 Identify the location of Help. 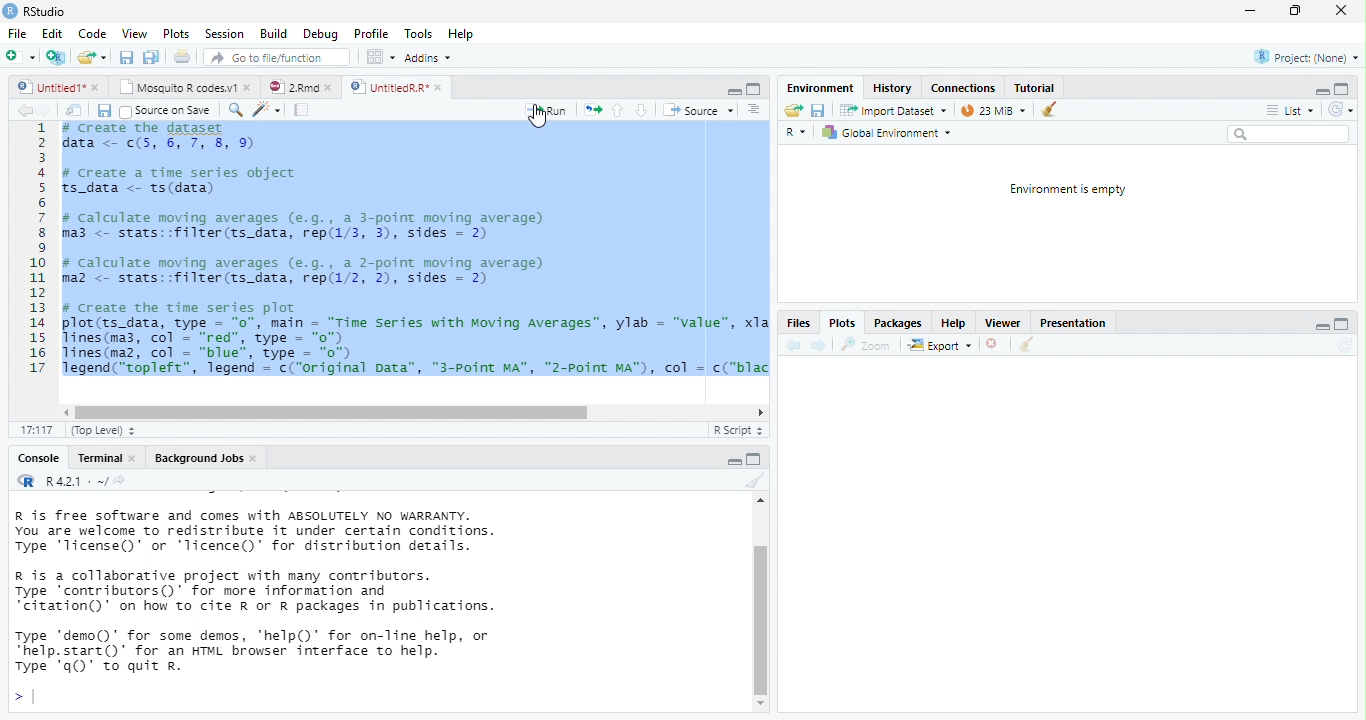
(951, 323).